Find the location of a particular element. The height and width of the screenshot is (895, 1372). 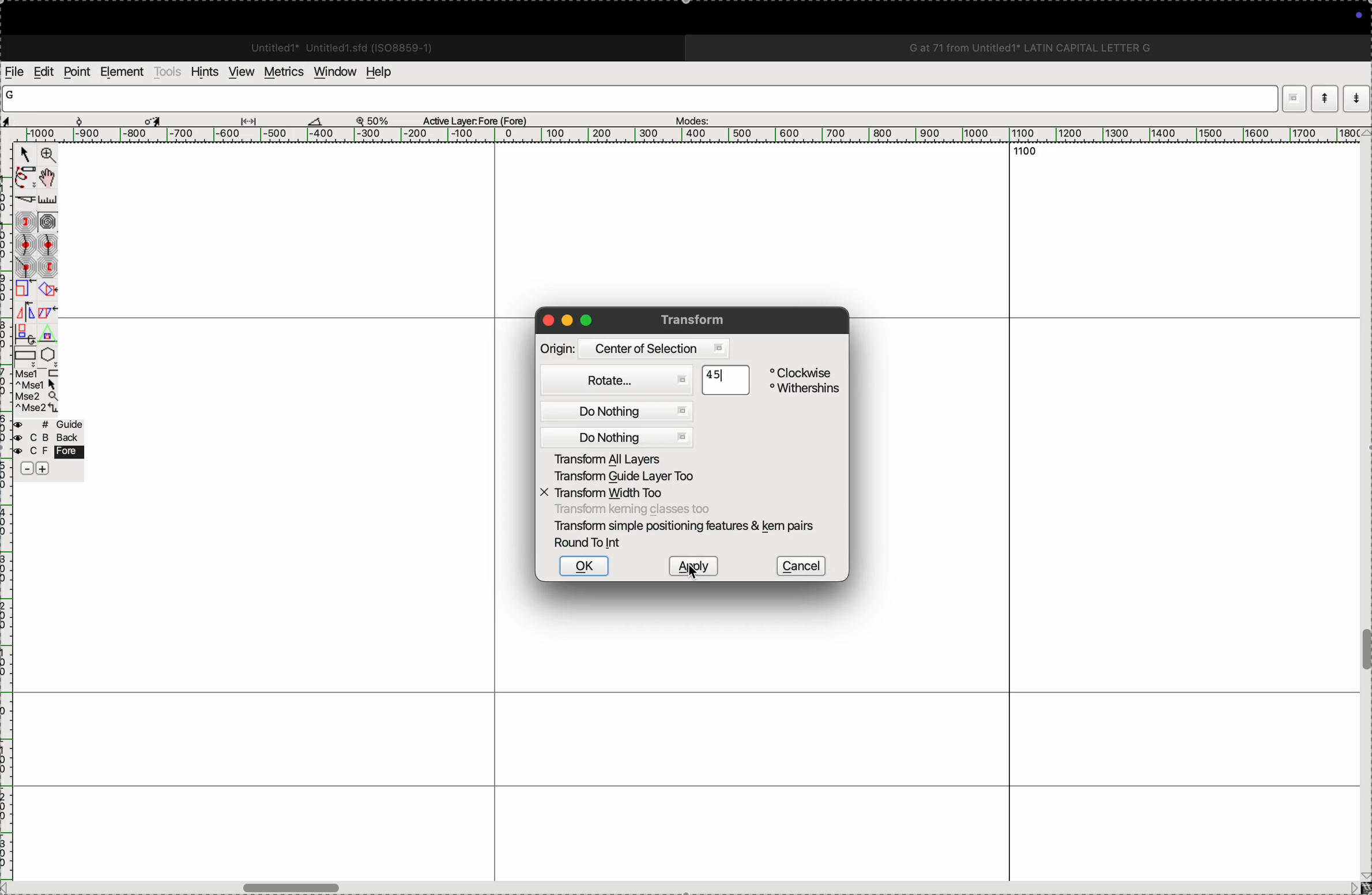

G at 71 from Untitled1 LATIN CAPITAL LETTER G is located at coordinates (1027, 46).